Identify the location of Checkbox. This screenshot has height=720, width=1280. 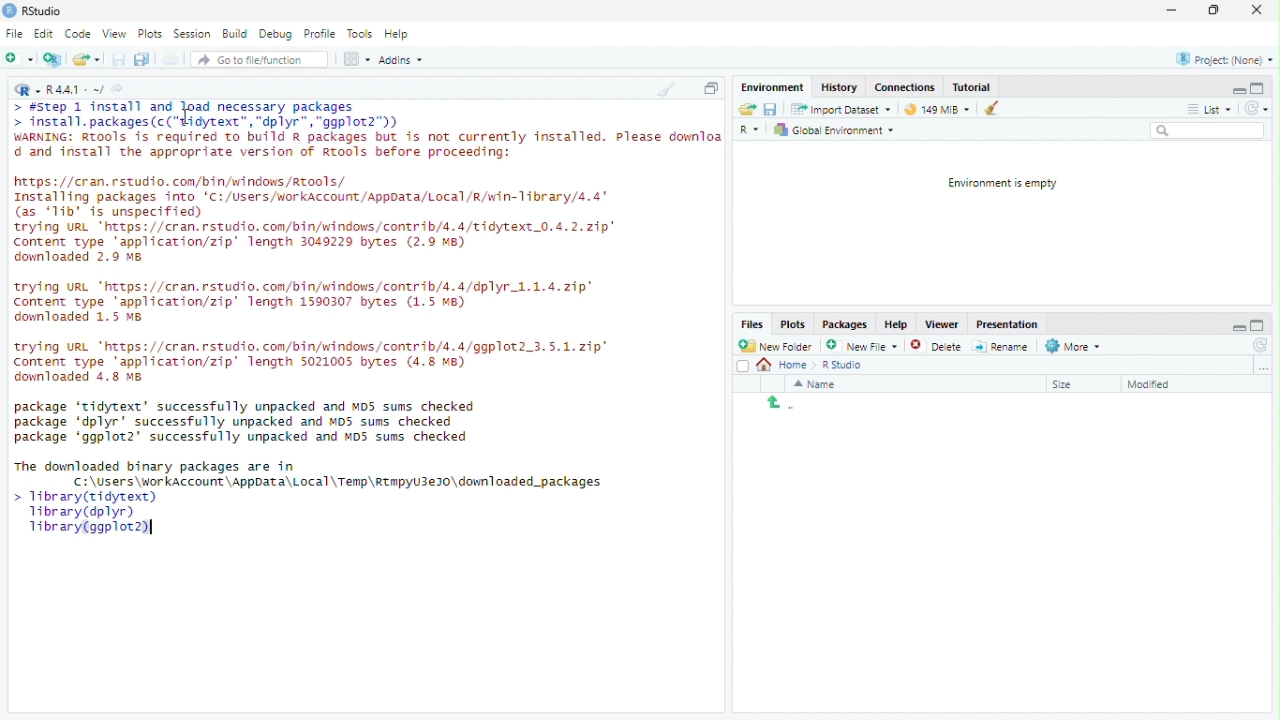
(743, 367).